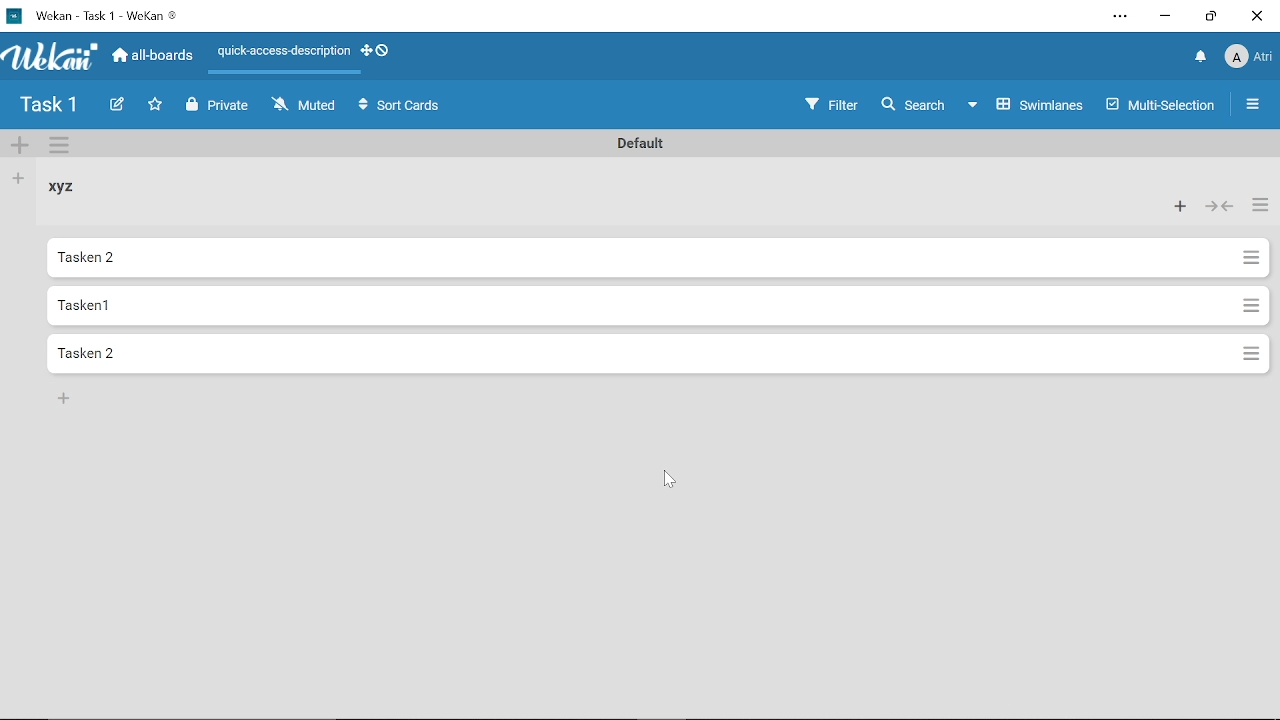  I want to click on Card titled "Tasken 2", so click(623, 304).